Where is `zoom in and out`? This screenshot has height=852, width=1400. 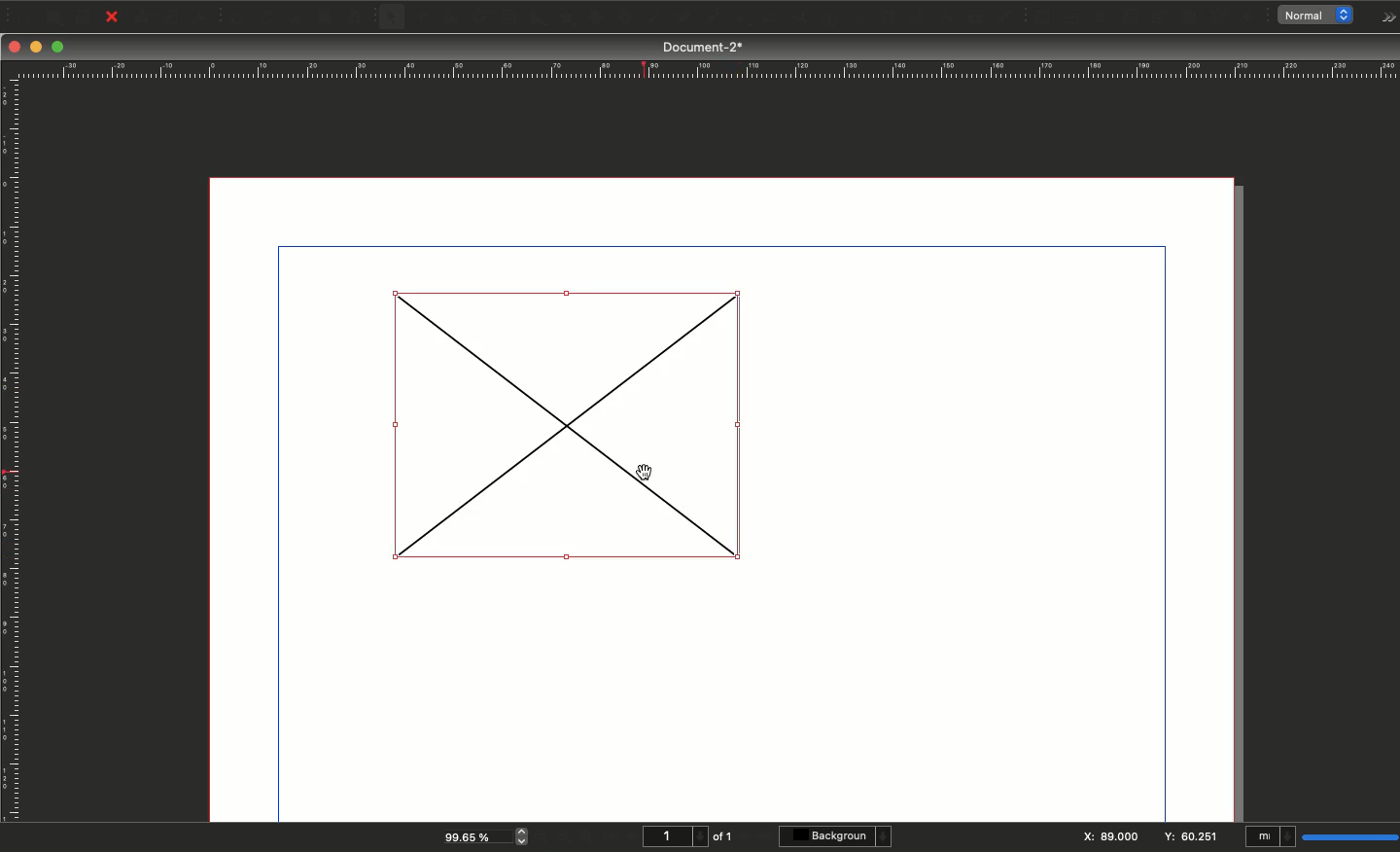
zoom in and out is located at coordinates (525, 835).